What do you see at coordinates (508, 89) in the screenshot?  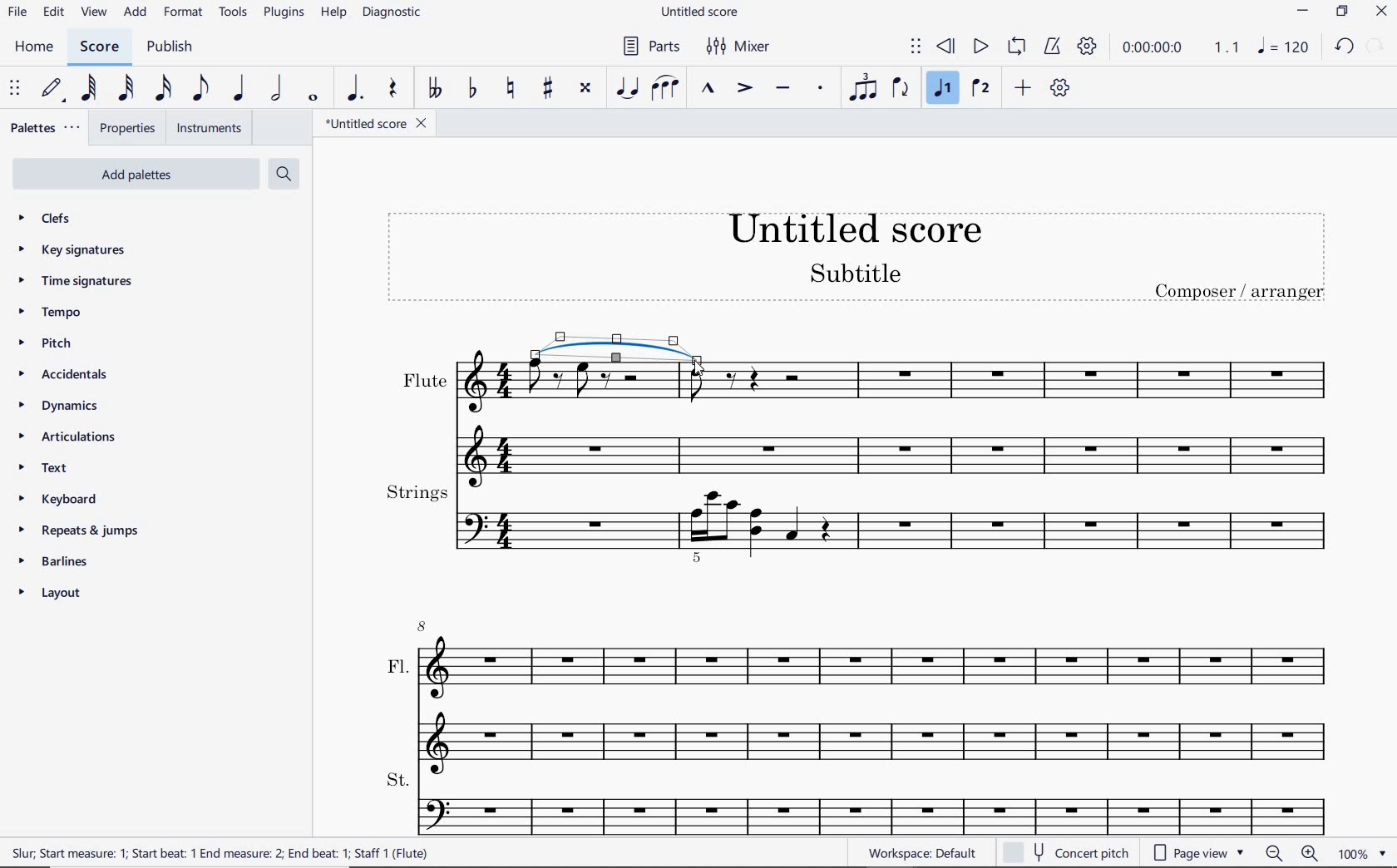 I see `TOGGLE NATURAL` at bounding box center [508, 89].